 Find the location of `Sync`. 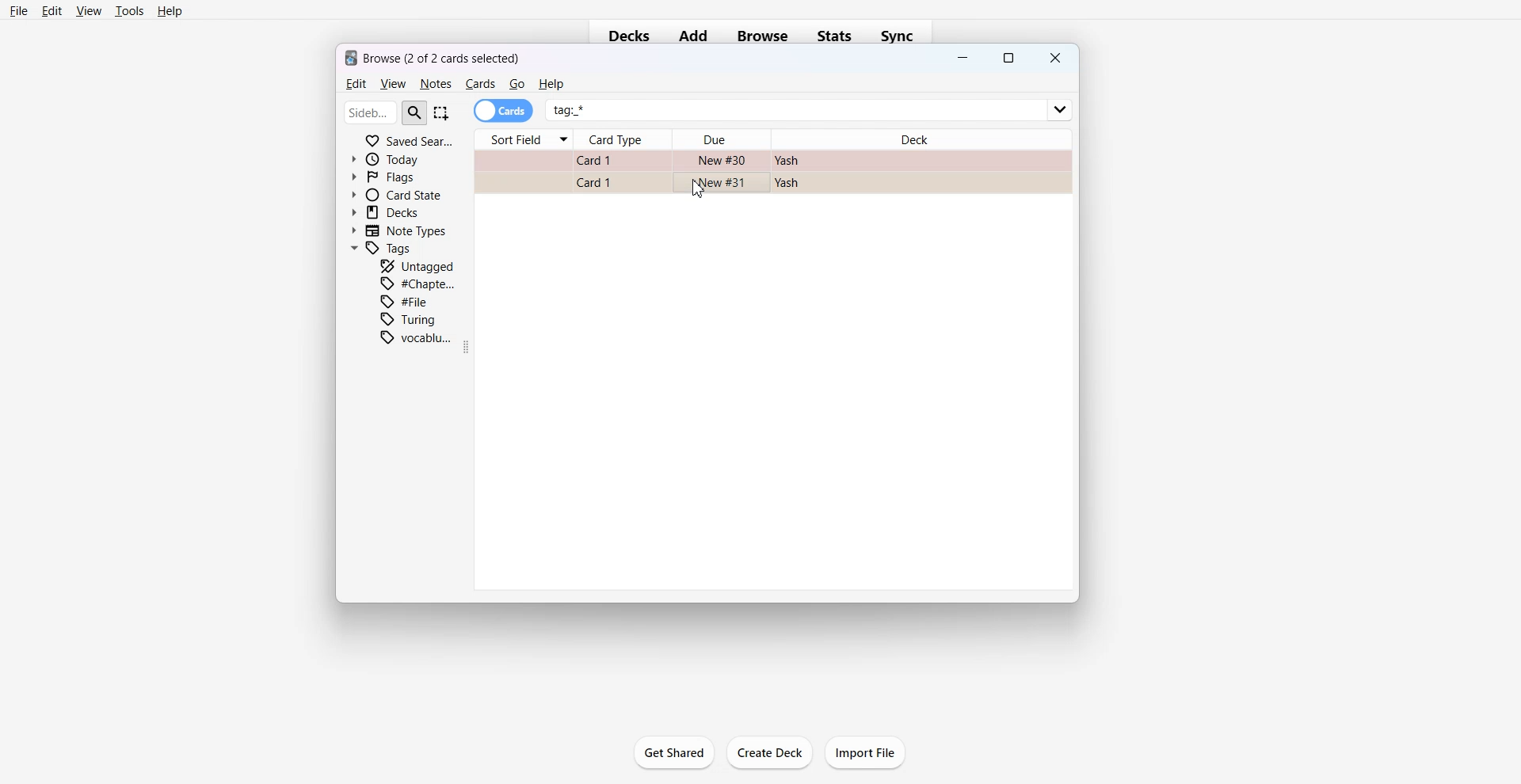

Sync is located at coordinates (902, 36).